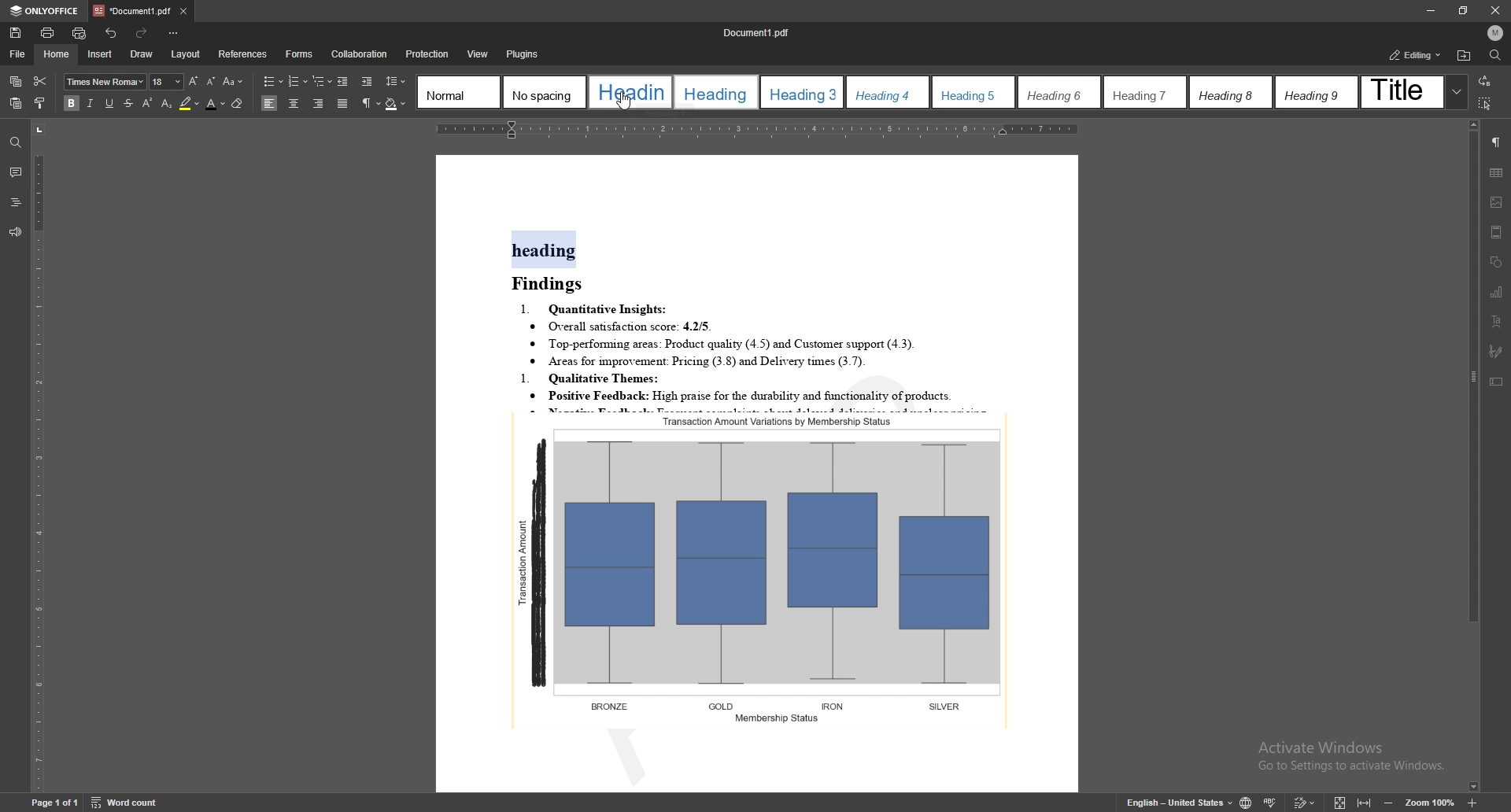 The height and width of the screenshot is (812, 1511). I want to click on draw, so click(141, 53).